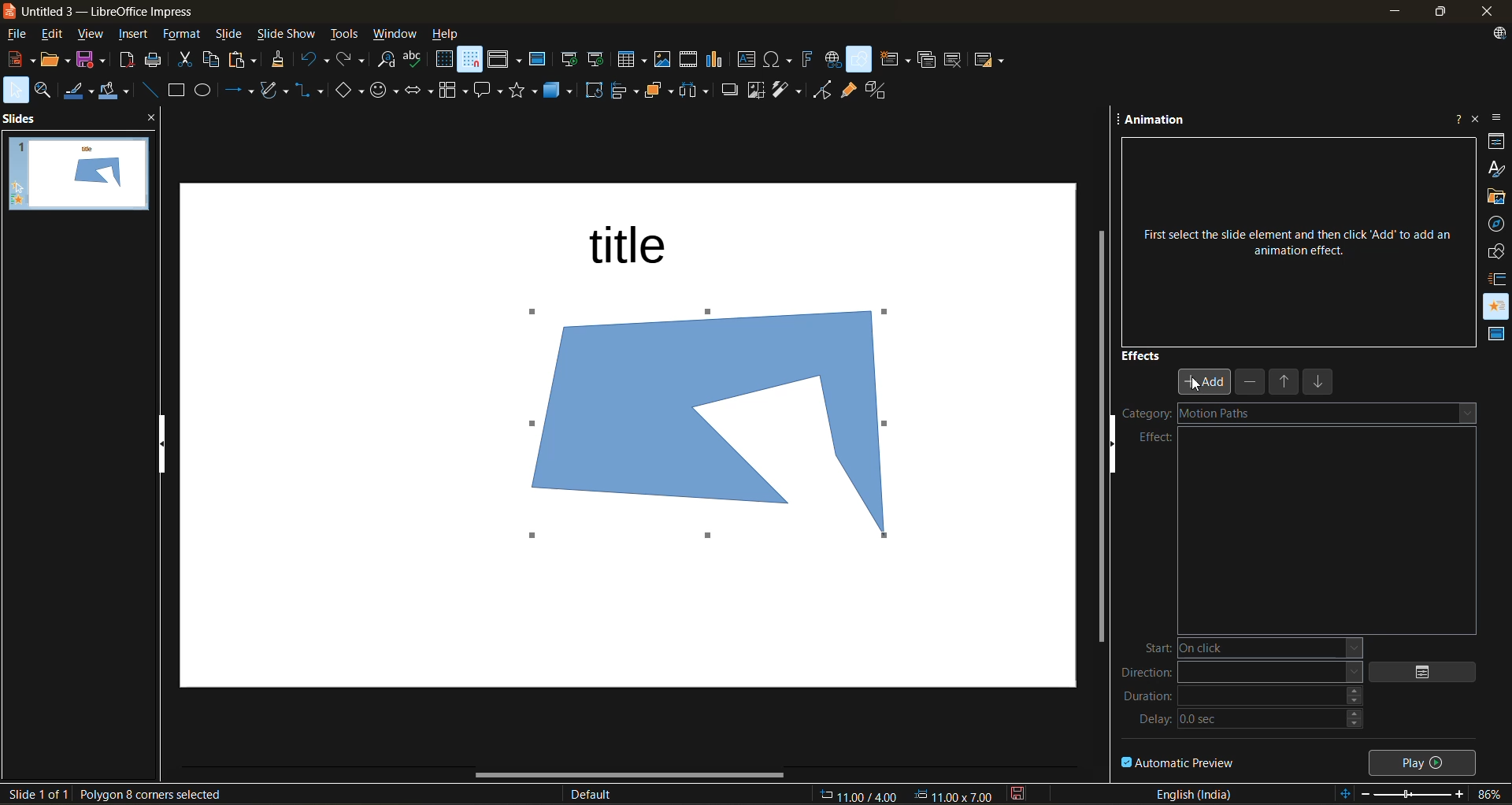 This screenshot has height=805, width=1512. What do you see at coordinates (311, 91) in the screenshot?
I see `connectors` at bounding box center [311, 91].